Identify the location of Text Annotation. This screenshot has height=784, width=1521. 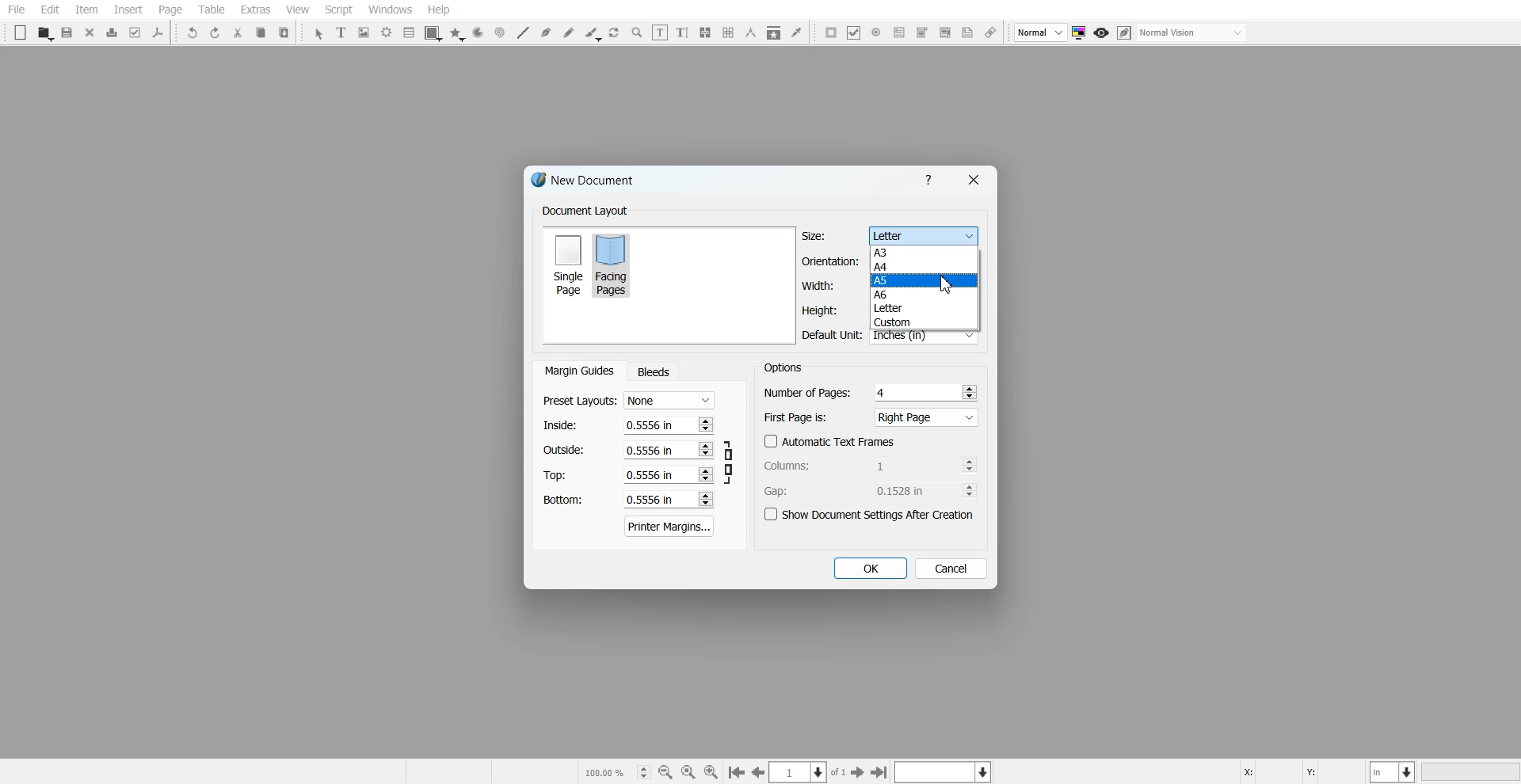
(967, 33).